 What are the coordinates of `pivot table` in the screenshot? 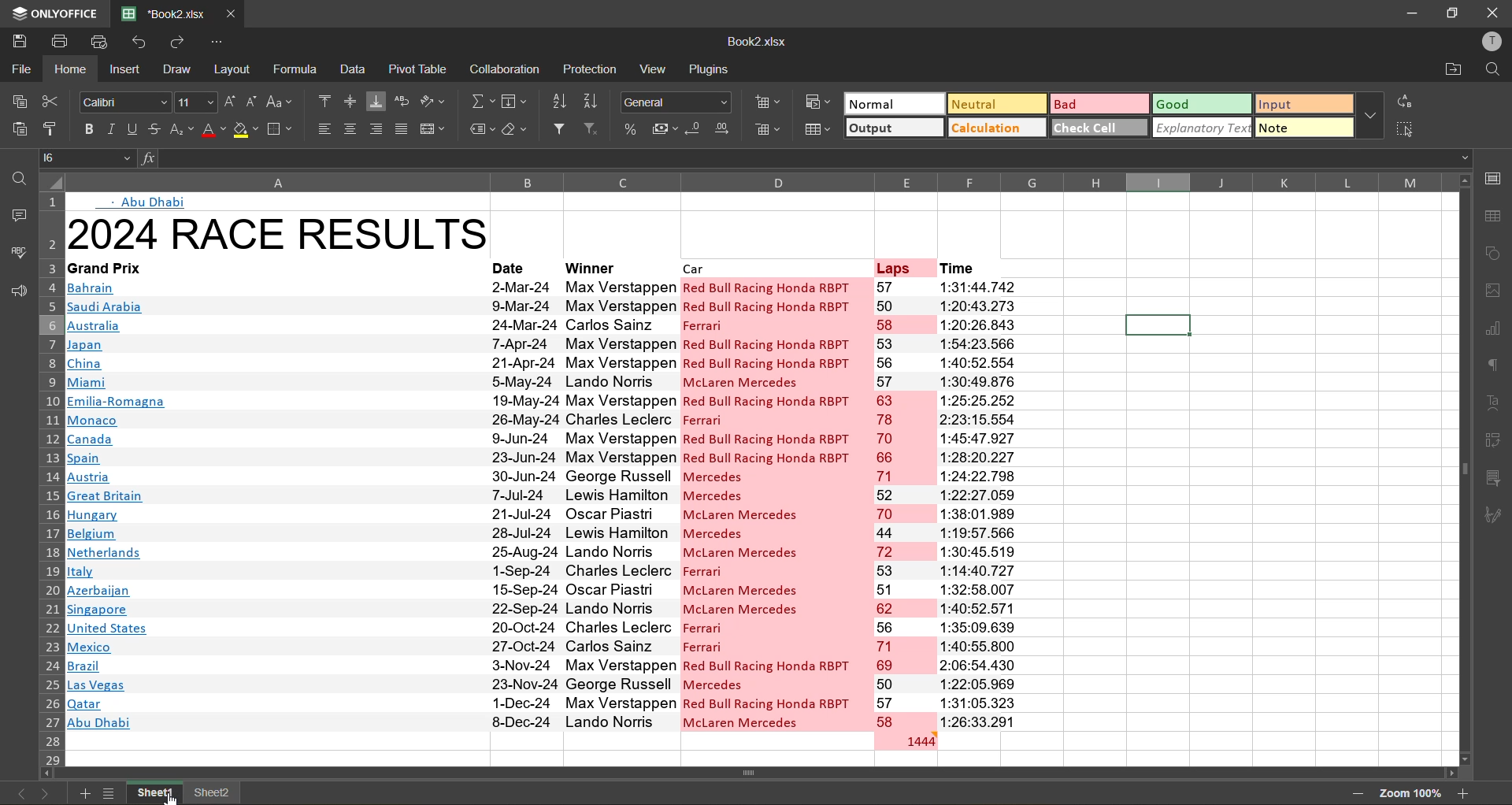 It's located at (419, 69).